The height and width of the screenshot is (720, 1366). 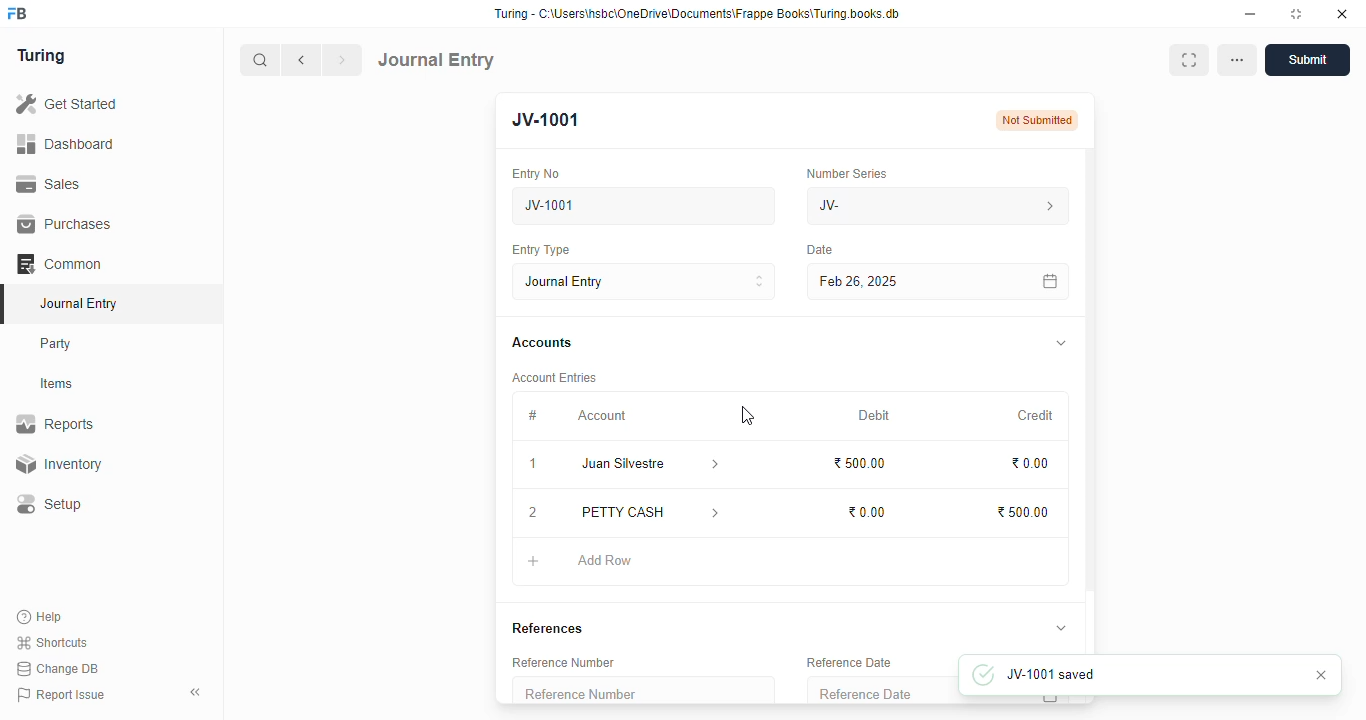 I want to click on Turing - C:\Users\hsbc\OneDrive\Documents\Frappe Books\Turing books.db, so click(x=696, y=14).